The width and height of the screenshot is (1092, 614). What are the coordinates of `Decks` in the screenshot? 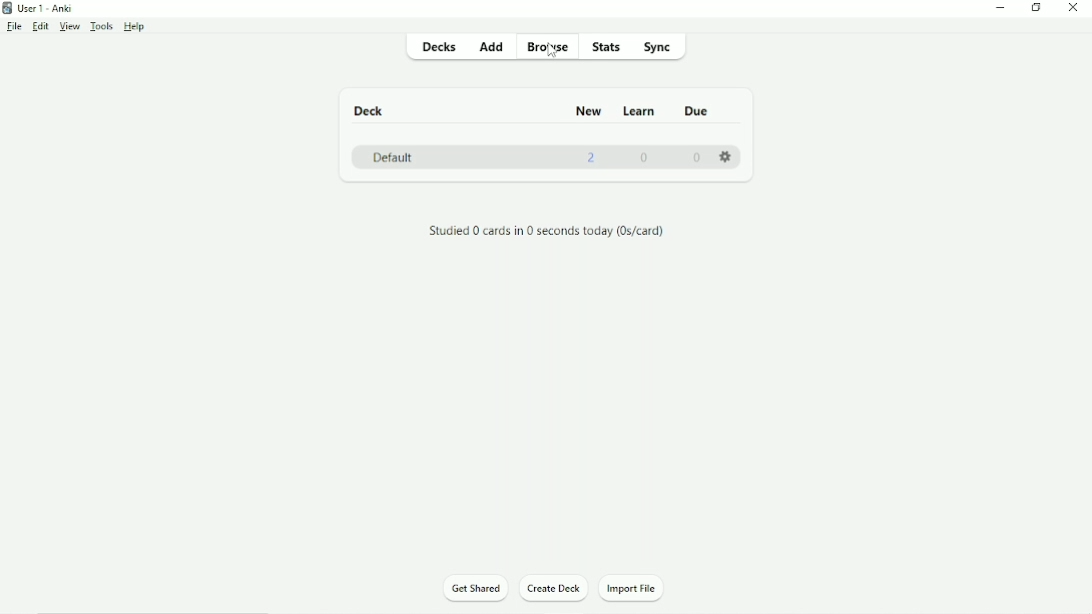 It's located at (439, 47).